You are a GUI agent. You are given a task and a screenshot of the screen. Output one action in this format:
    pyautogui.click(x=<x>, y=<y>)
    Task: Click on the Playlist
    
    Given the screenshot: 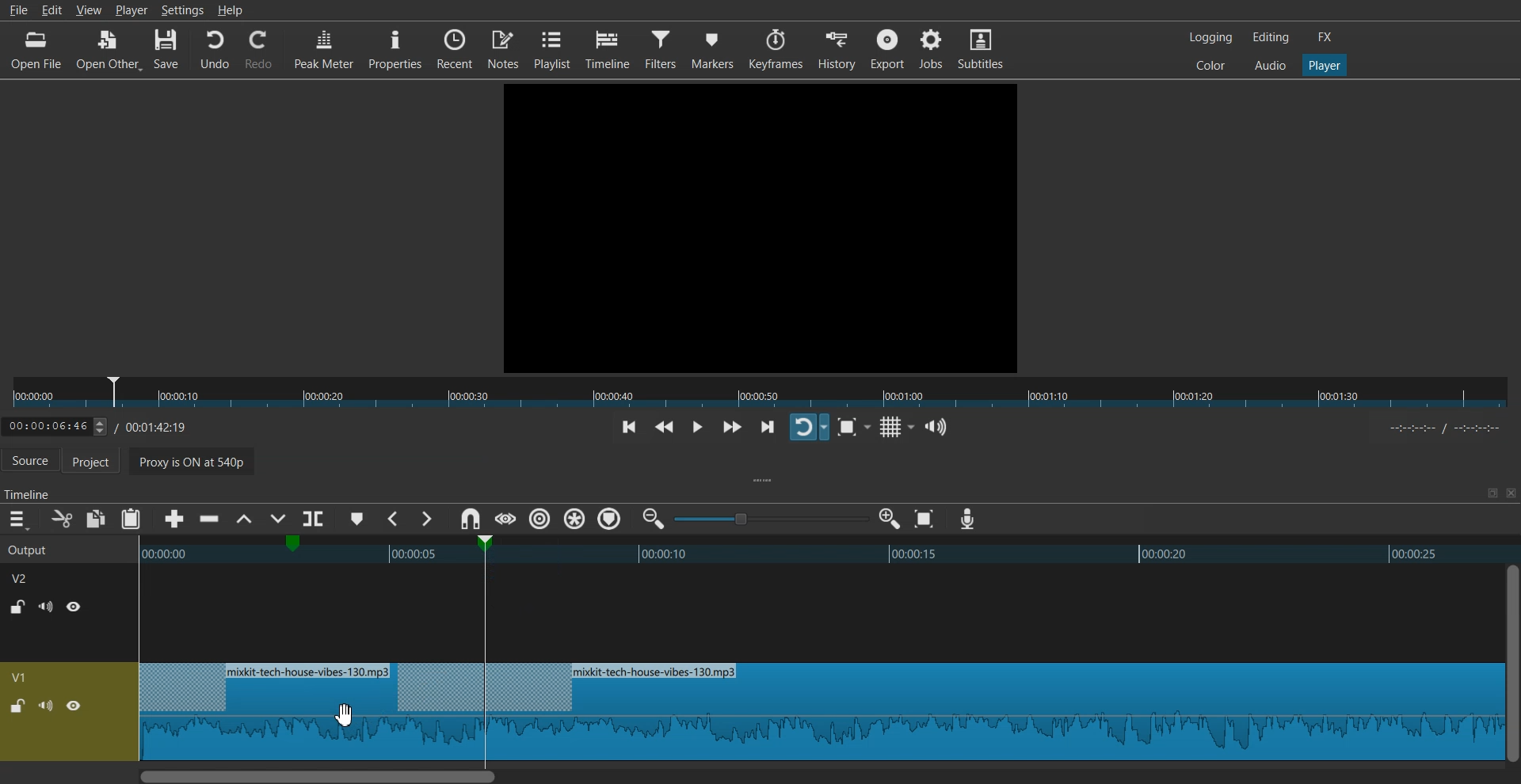 What is the action you would take?
    pyautogui.click(x=552, y=48)
    